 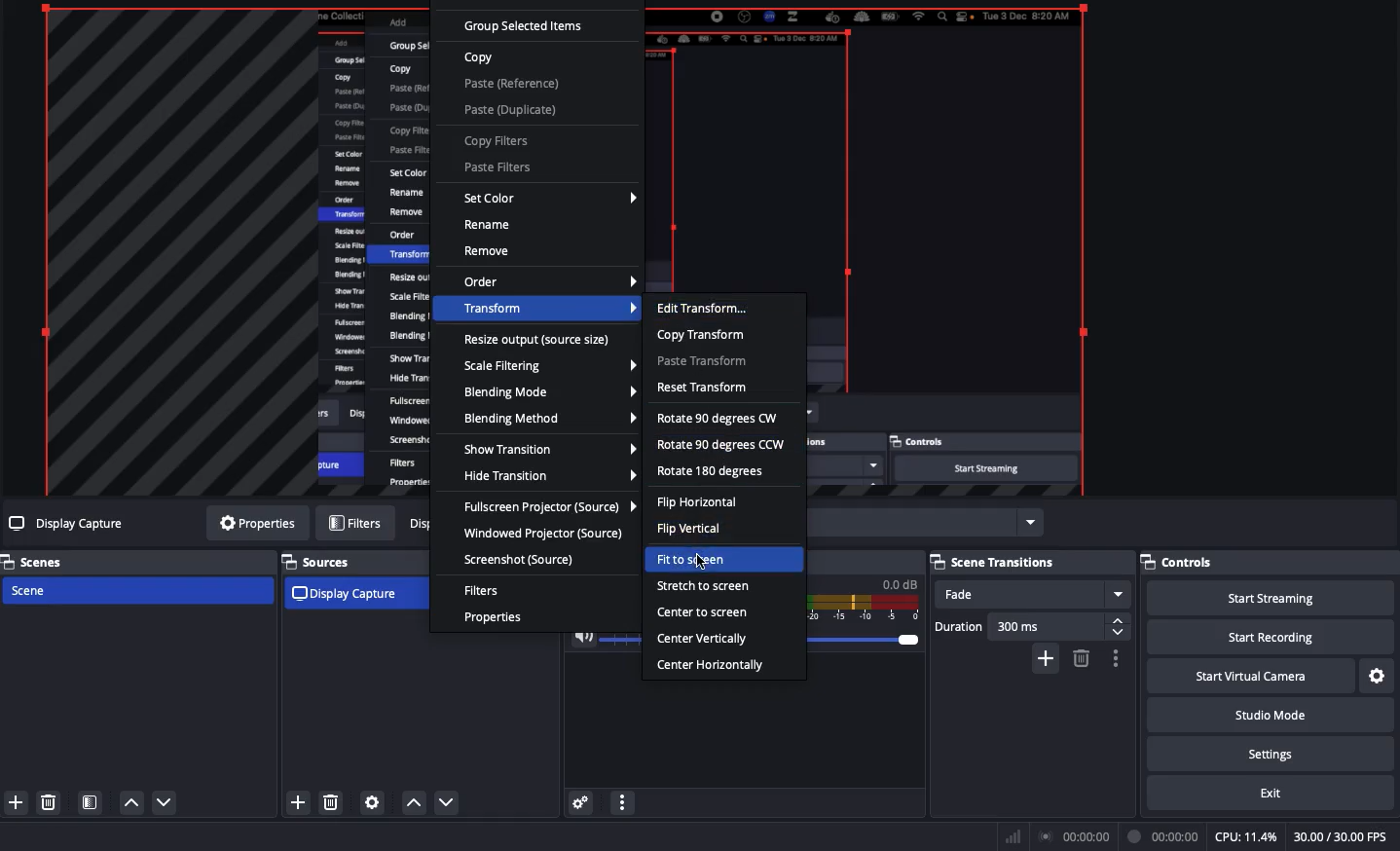 What do you see at coordinates (1269, 640) in the screenshot?
I see `Start recording` at bounding box center [1269, 640].